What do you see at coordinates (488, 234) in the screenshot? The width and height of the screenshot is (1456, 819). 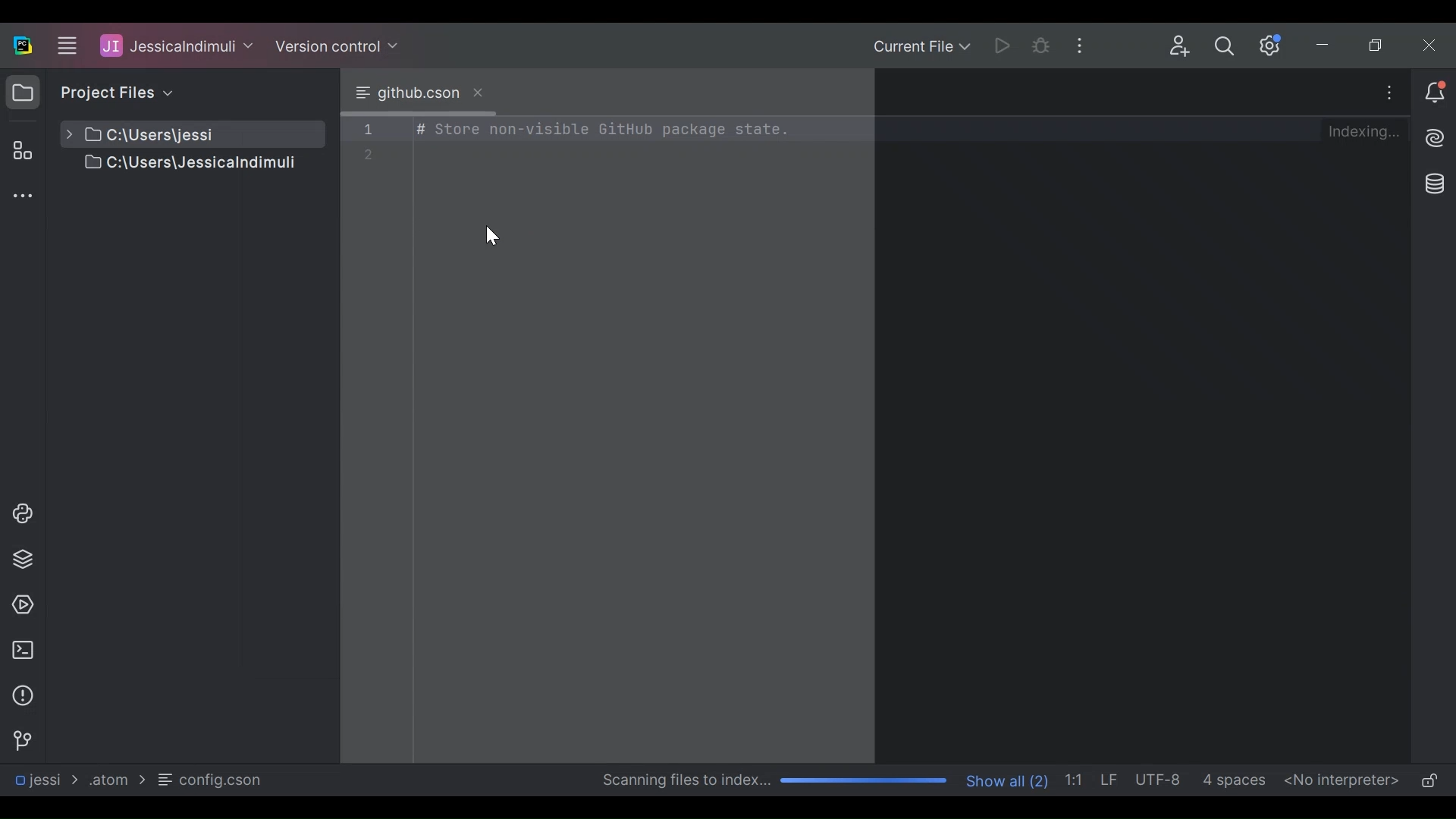 I see `Cursor` at bounding box center [488, 234].